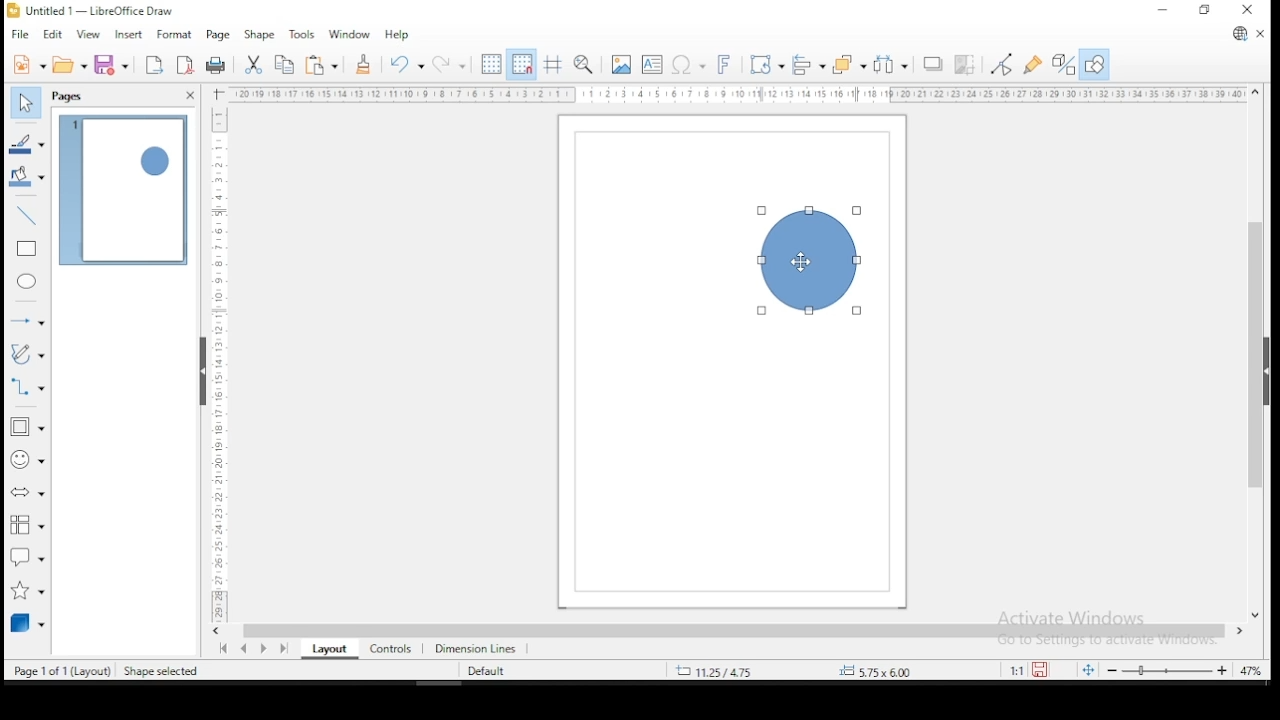  What do you see at coordinates (189, 96) in the screenshot?
I see `close deck` at bounding box center [189, 96].